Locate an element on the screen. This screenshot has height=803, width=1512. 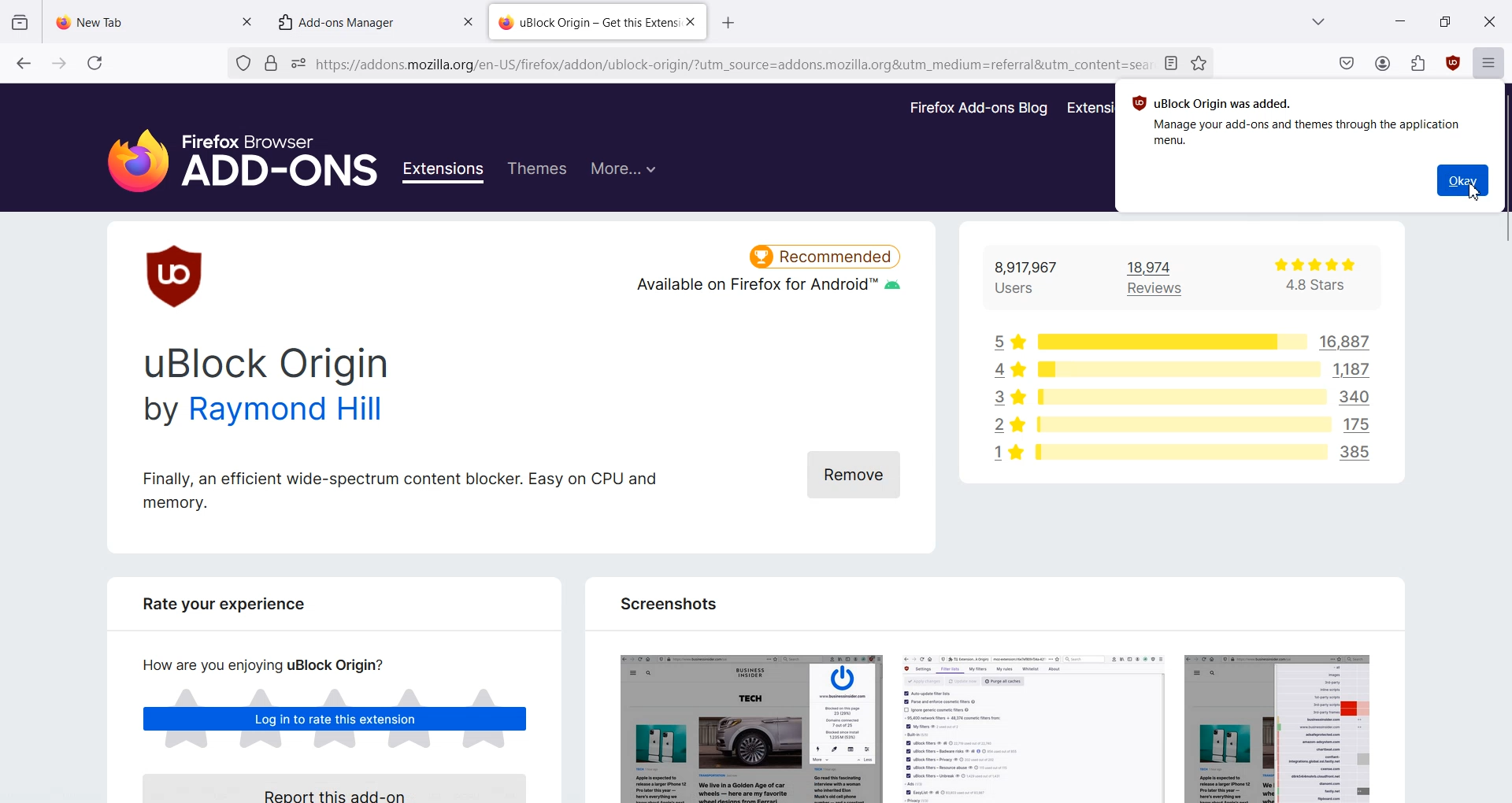
Available on Firefox for Android™ is located at coordinates (766, 291).